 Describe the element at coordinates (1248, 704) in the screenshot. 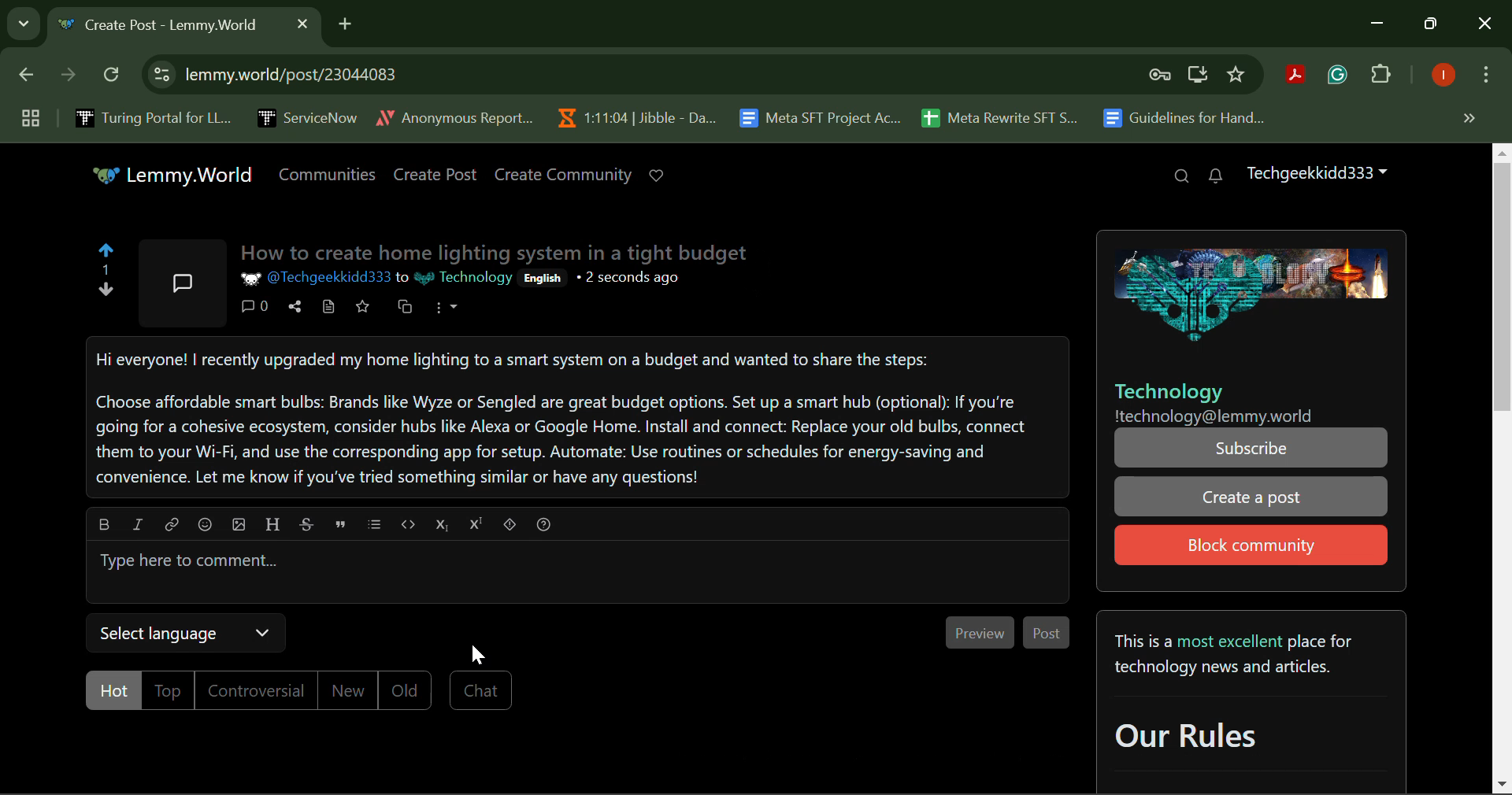

I see `Community Rules` at that location.